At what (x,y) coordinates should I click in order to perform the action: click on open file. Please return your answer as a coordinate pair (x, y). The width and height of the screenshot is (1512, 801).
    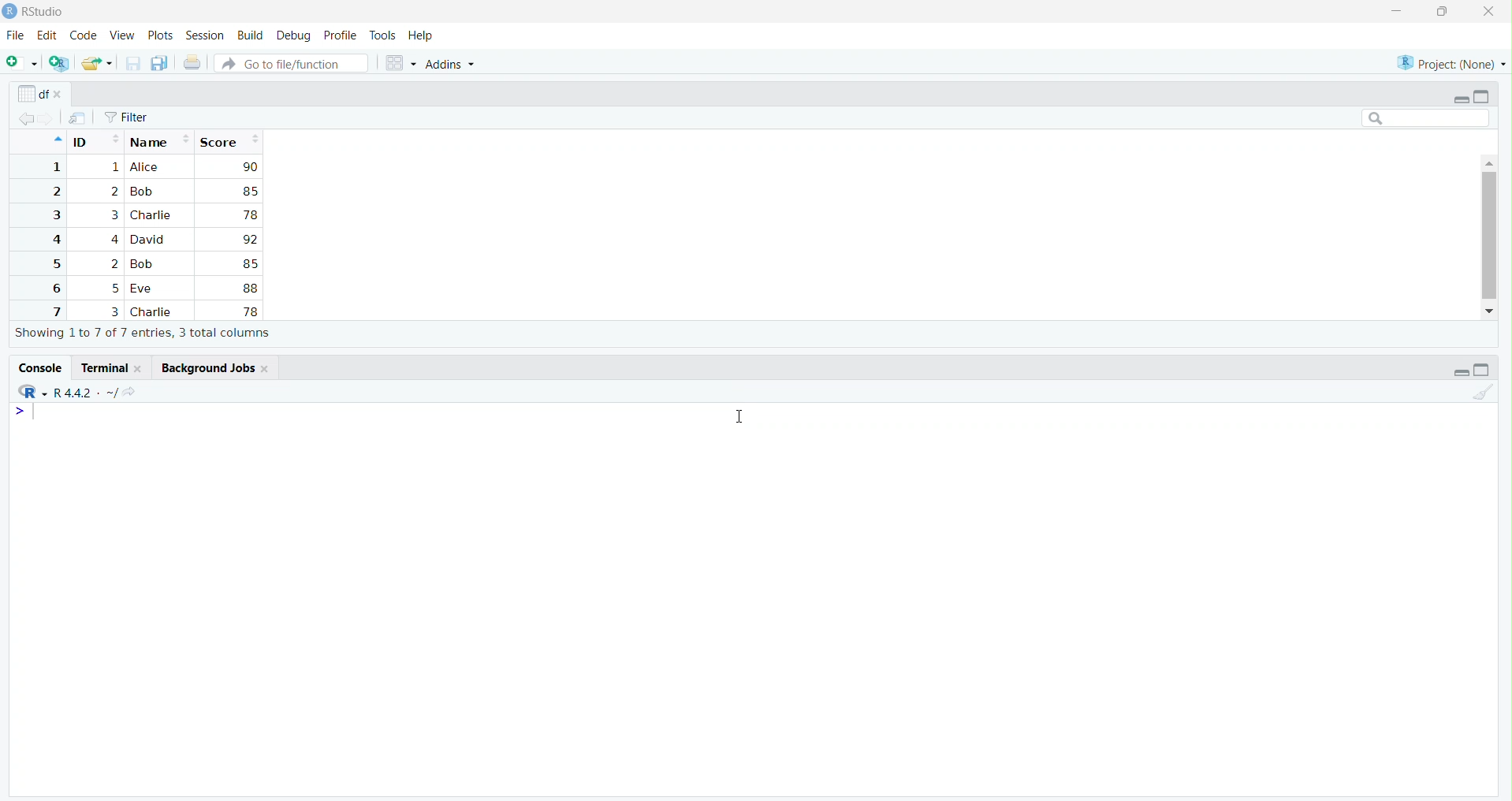
    Looking at the image, I should click on (97, 64).